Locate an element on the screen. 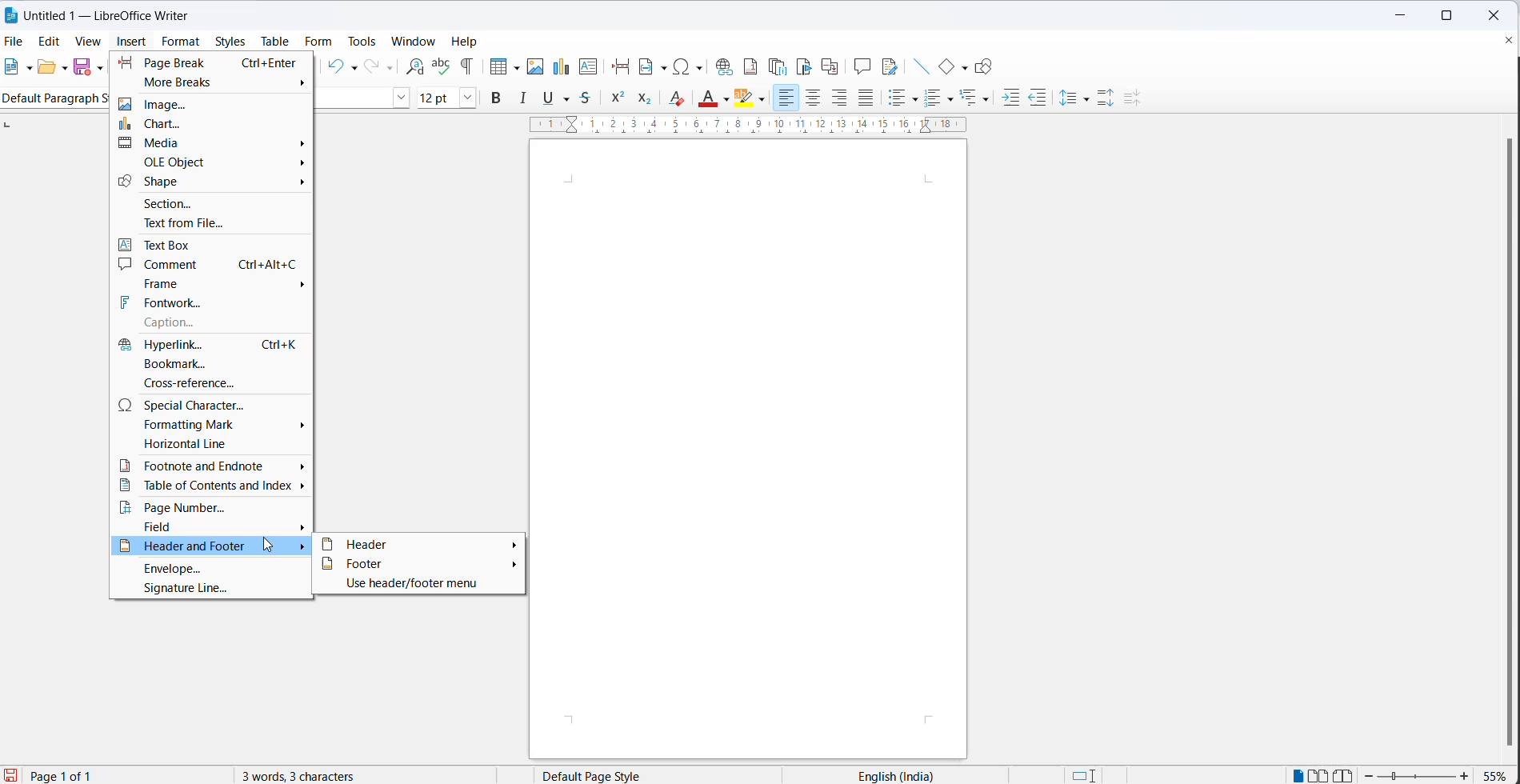  character highlighting icon is located at coordinates (746, 98).